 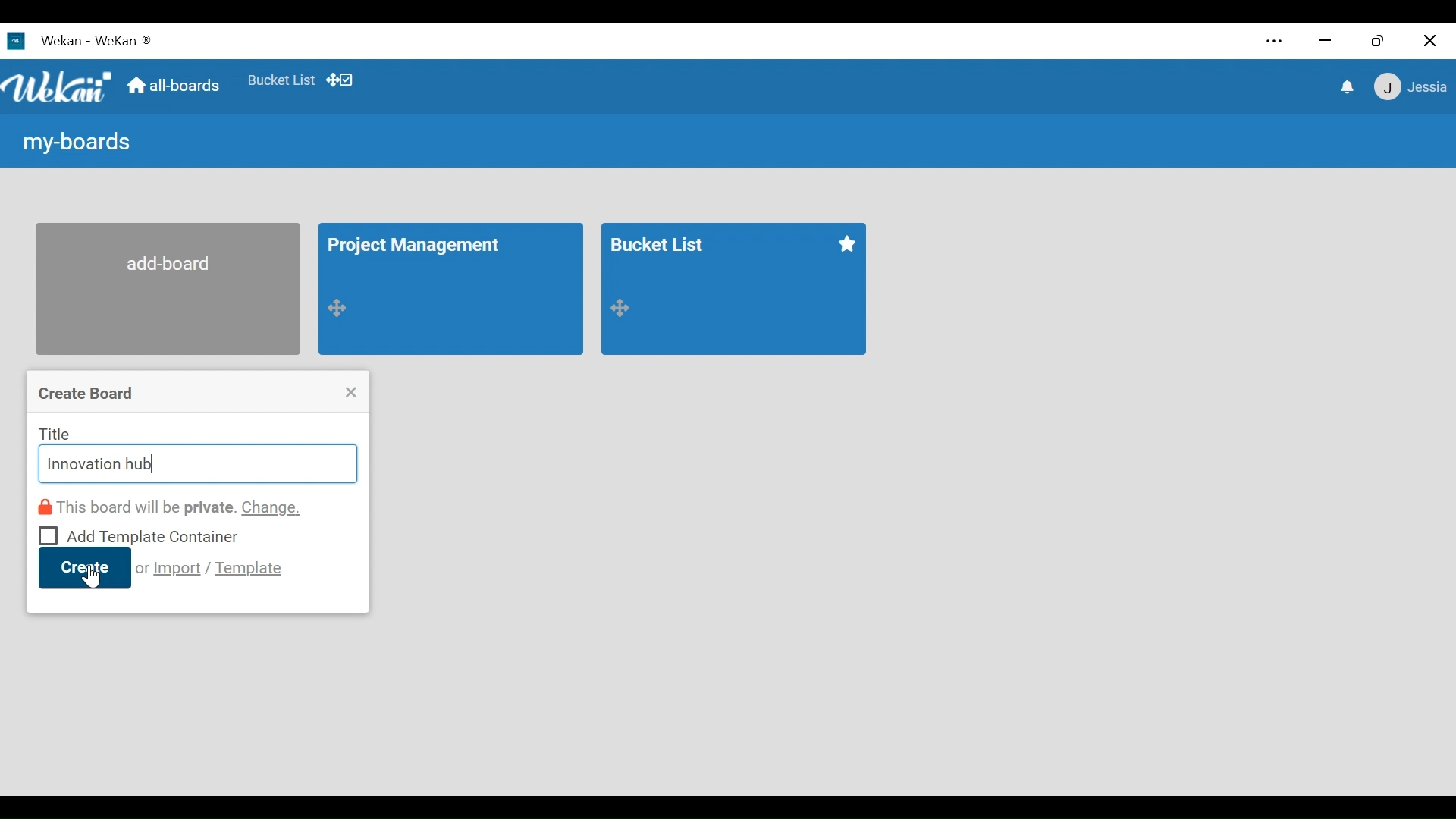 What do you see at coordinates (74, 144) in the screenshot?
I see `My boards` at bounding box center [74, 144].